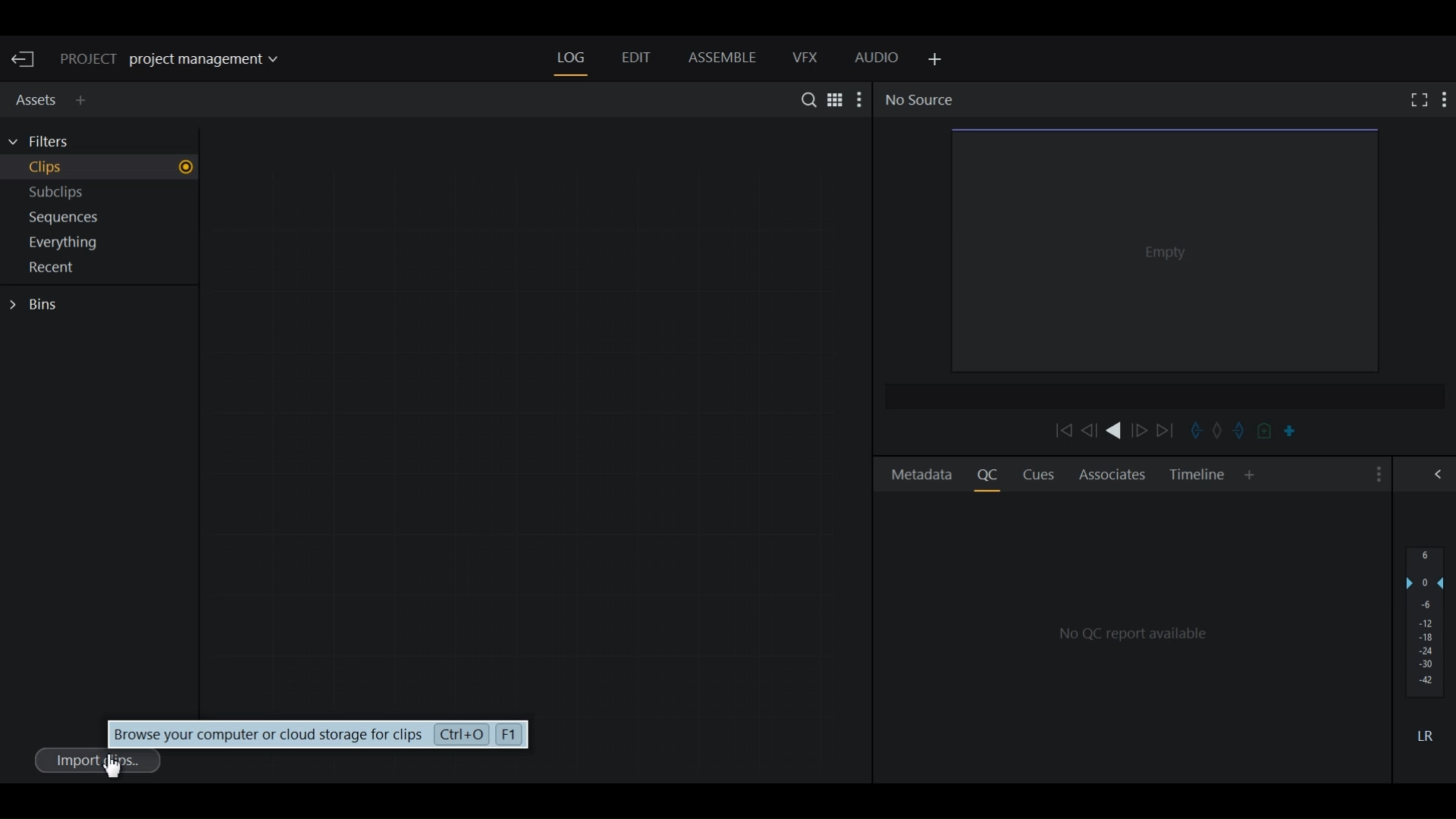 Image resolution: width=1456 pixels, height=819 pixels. What do you see at coordinates (836, 99) in the screenshot?
I see `Toggle between list and Tile View` at bounding box center [836, 99].